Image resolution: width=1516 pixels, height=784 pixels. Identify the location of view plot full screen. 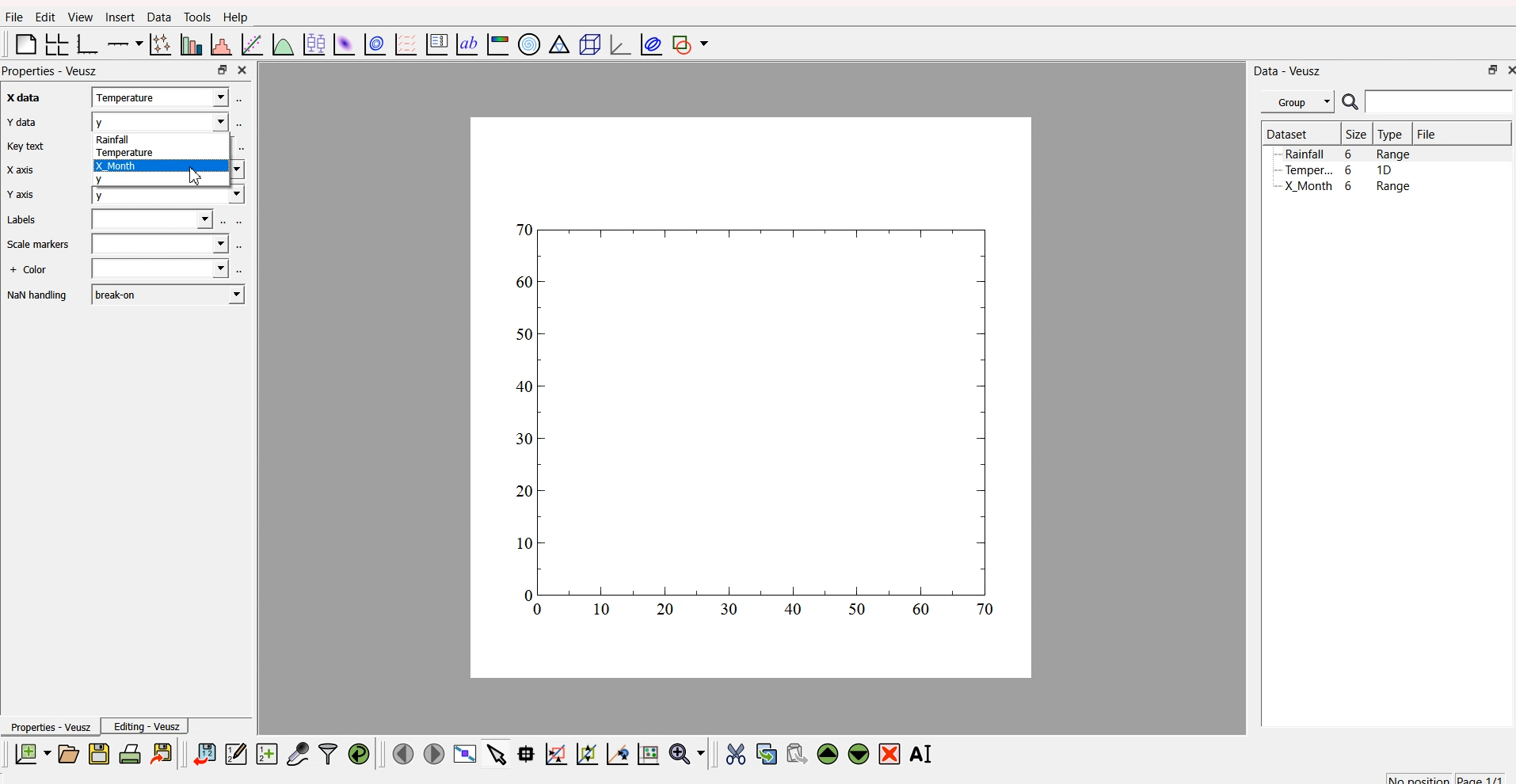
(465, 754).